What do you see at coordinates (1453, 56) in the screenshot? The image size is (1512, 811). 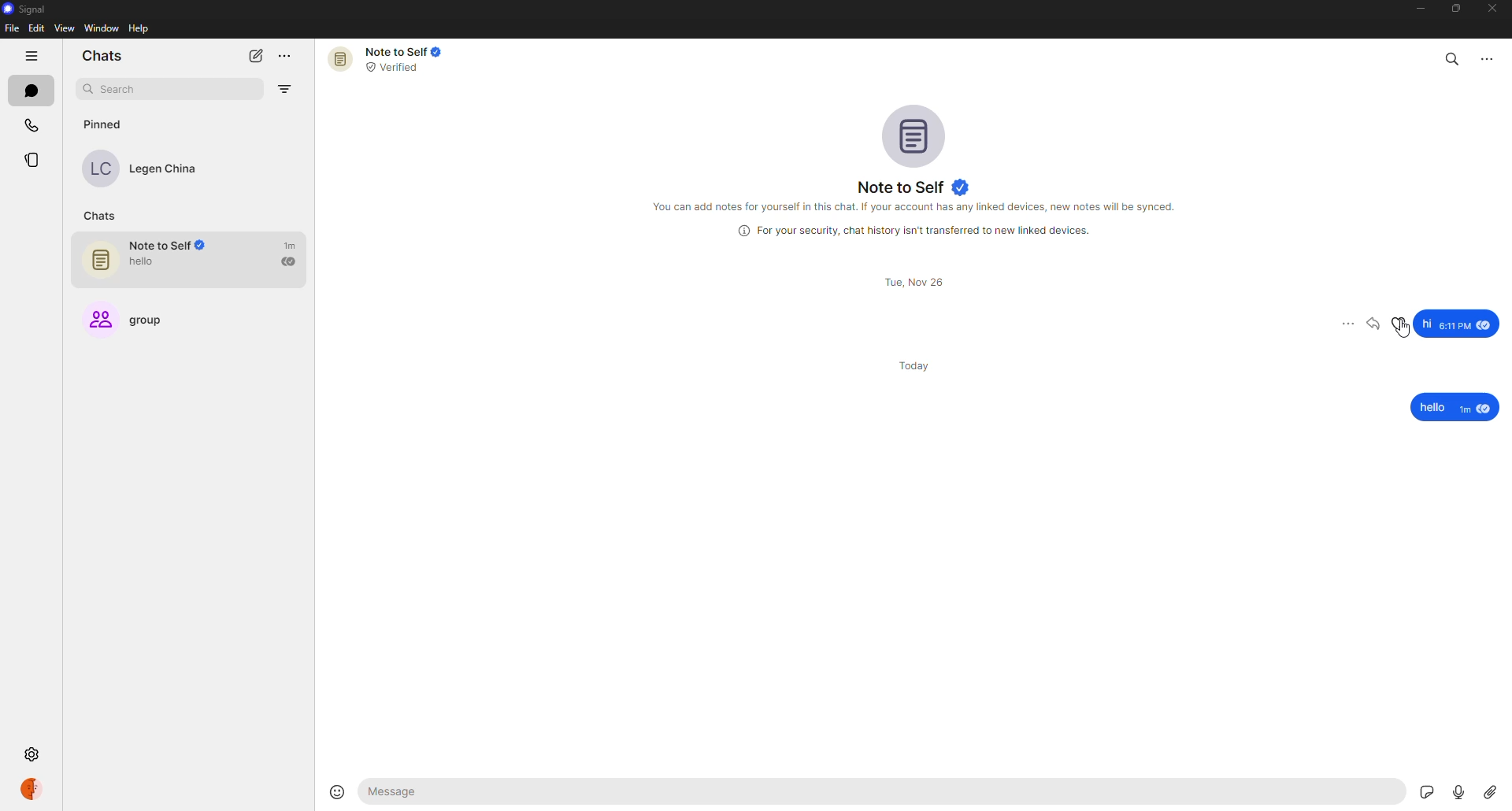 I see `search` at bounding box center [1453, 56].